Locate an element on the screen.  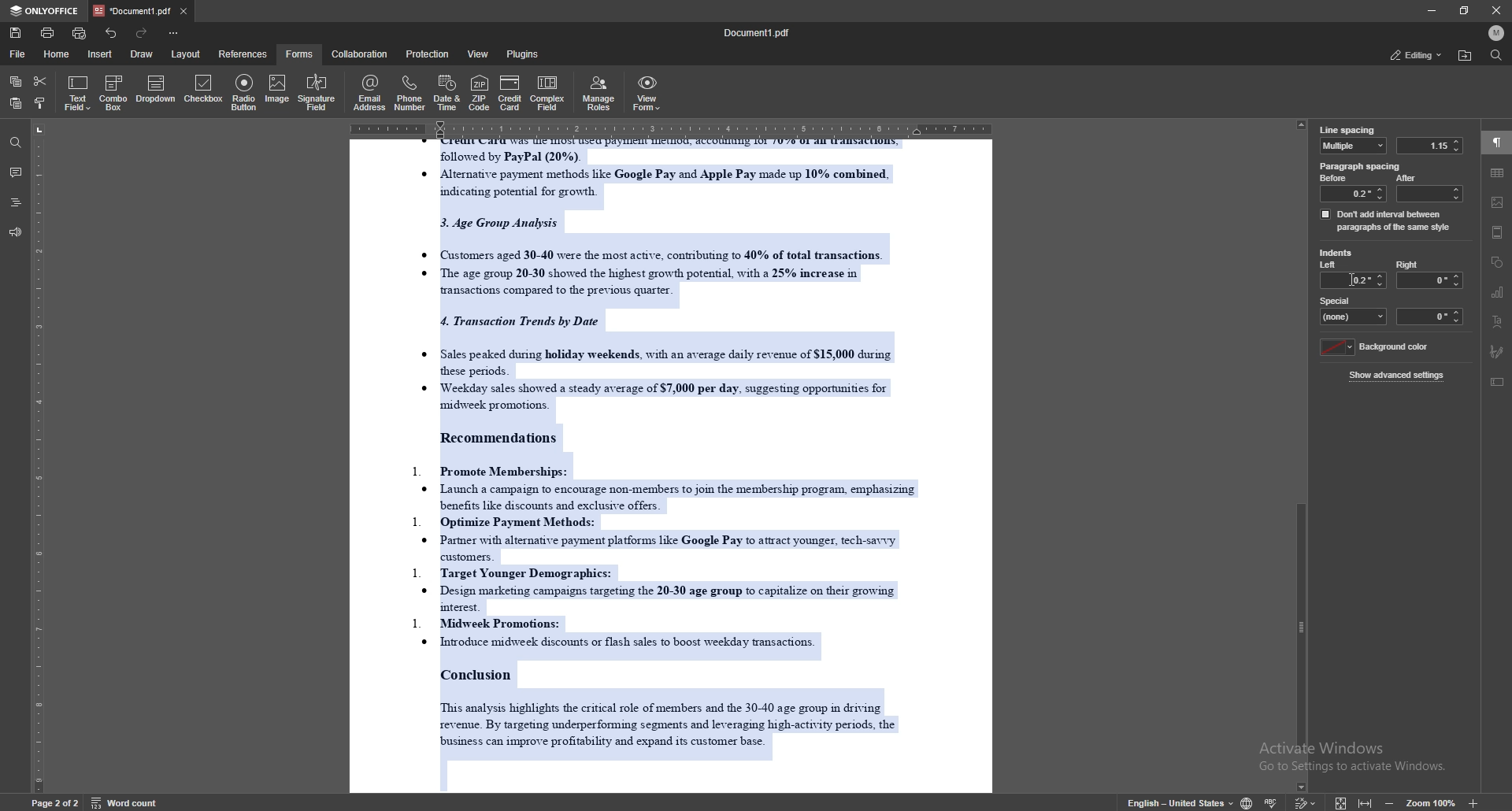
dont add interval between paragraph of same style is located at coordinates (1386, 220).